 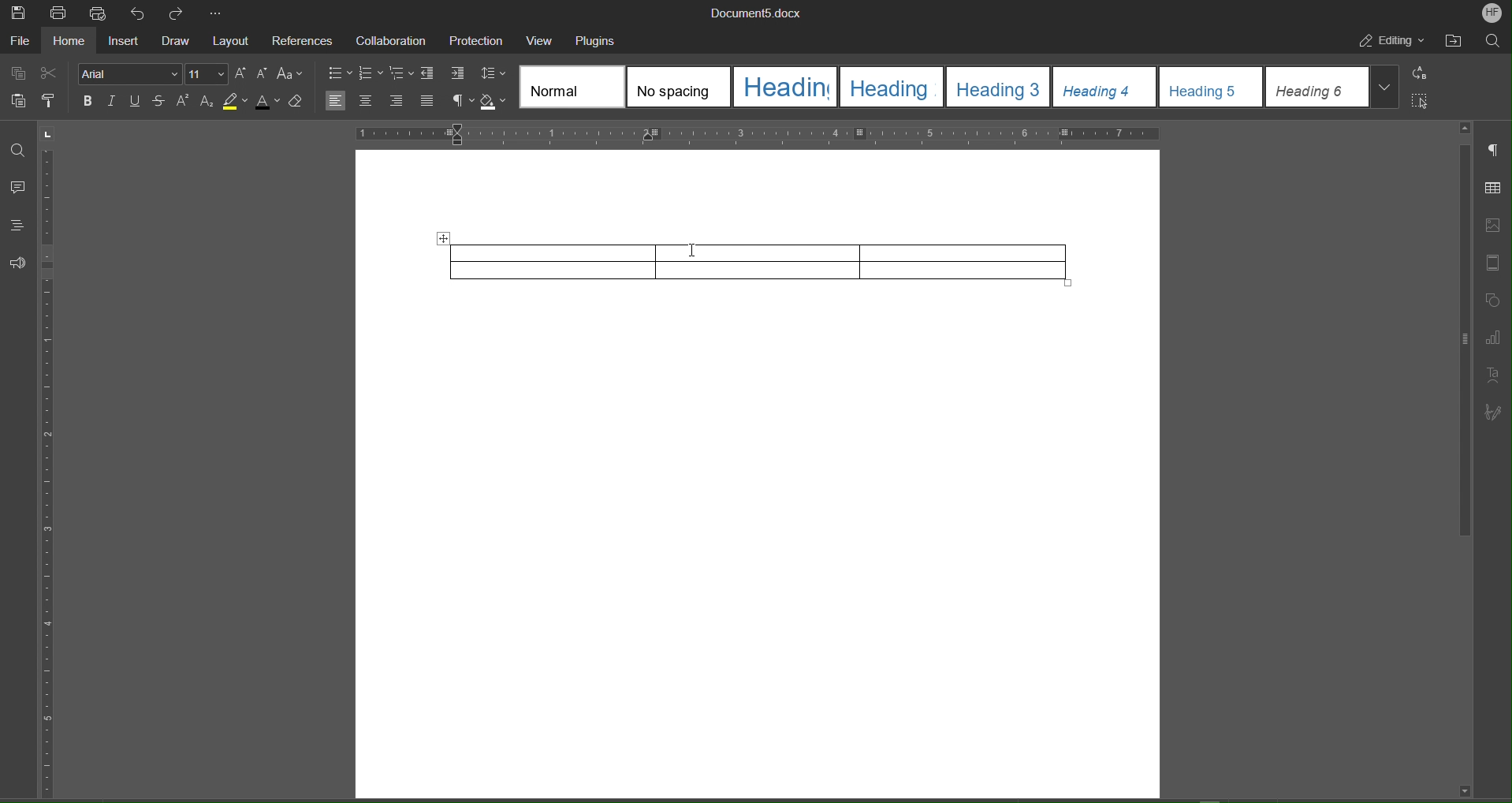 I want to click on numbering, so click(x=371, y=75).